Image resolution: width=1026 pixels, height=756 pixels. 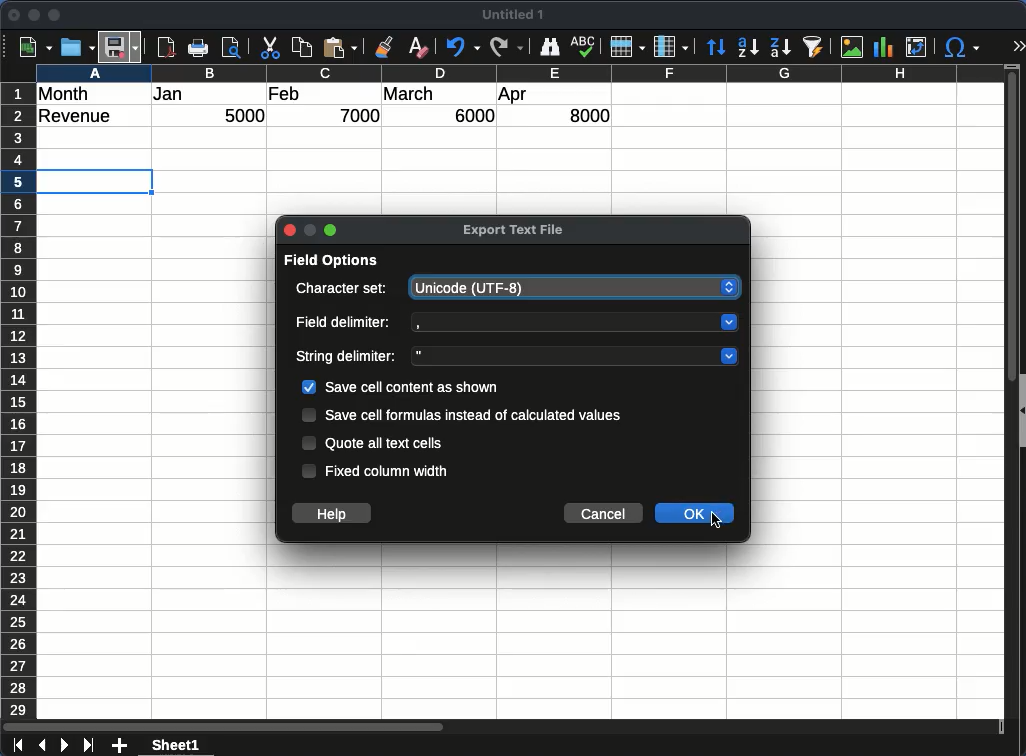 What do you see at coordinates (881, 46) in the screenshot?
I see `chart` at bounding box center [881, 46].